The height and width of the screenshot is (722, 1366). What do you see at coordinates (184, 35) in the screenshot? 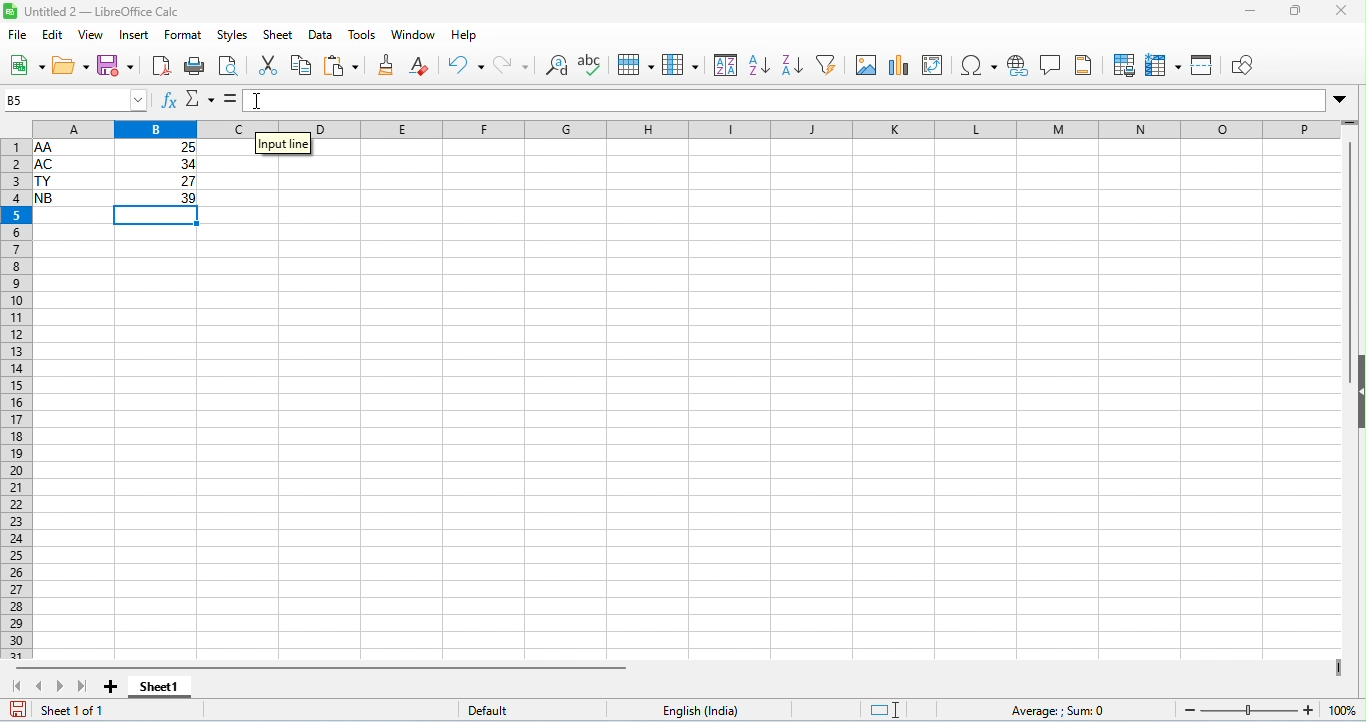
I see `format` at bounding box center [184, 35].